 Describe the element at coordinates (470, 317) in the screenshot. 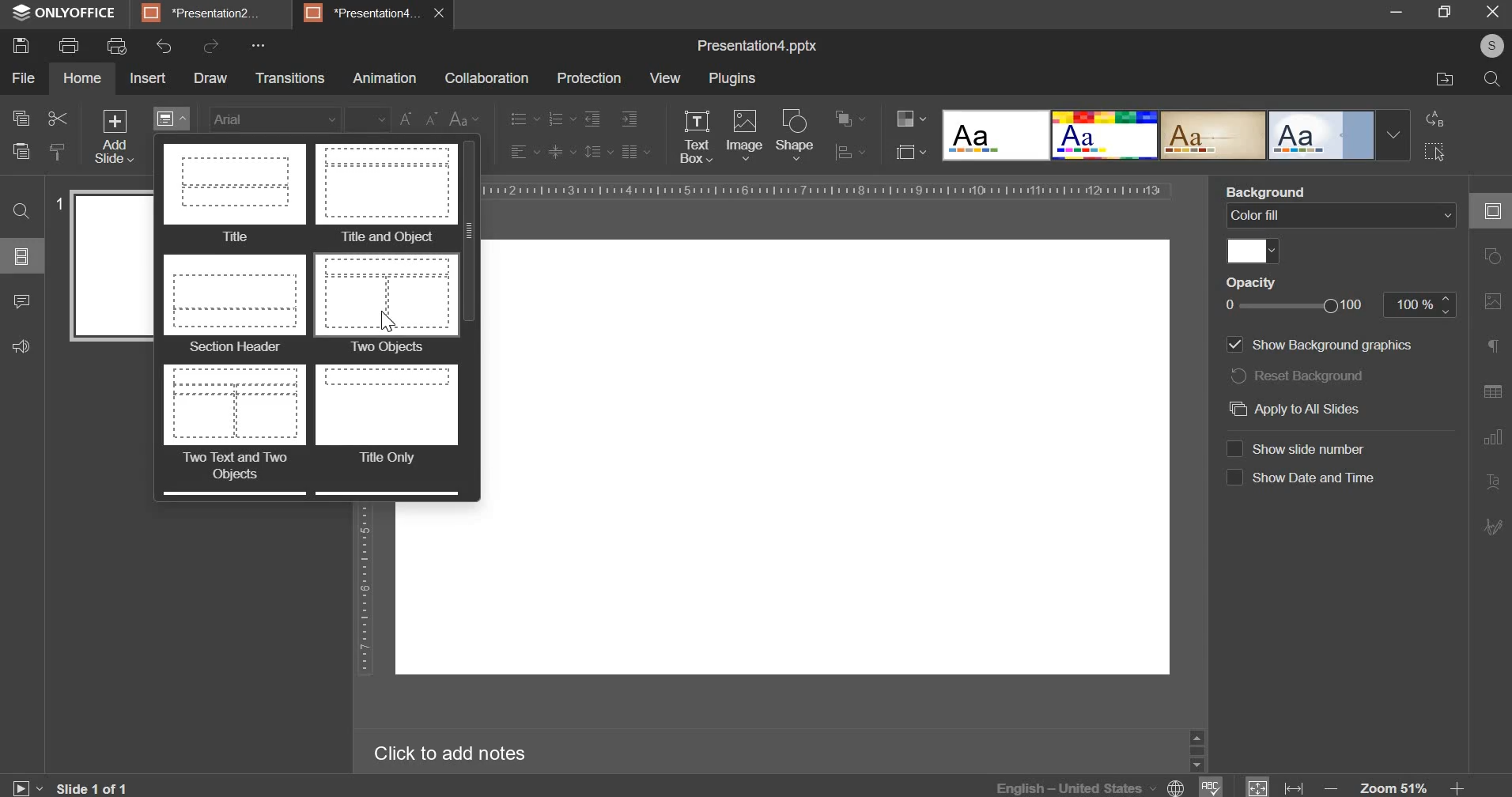

I see `vertical slider` at that location.